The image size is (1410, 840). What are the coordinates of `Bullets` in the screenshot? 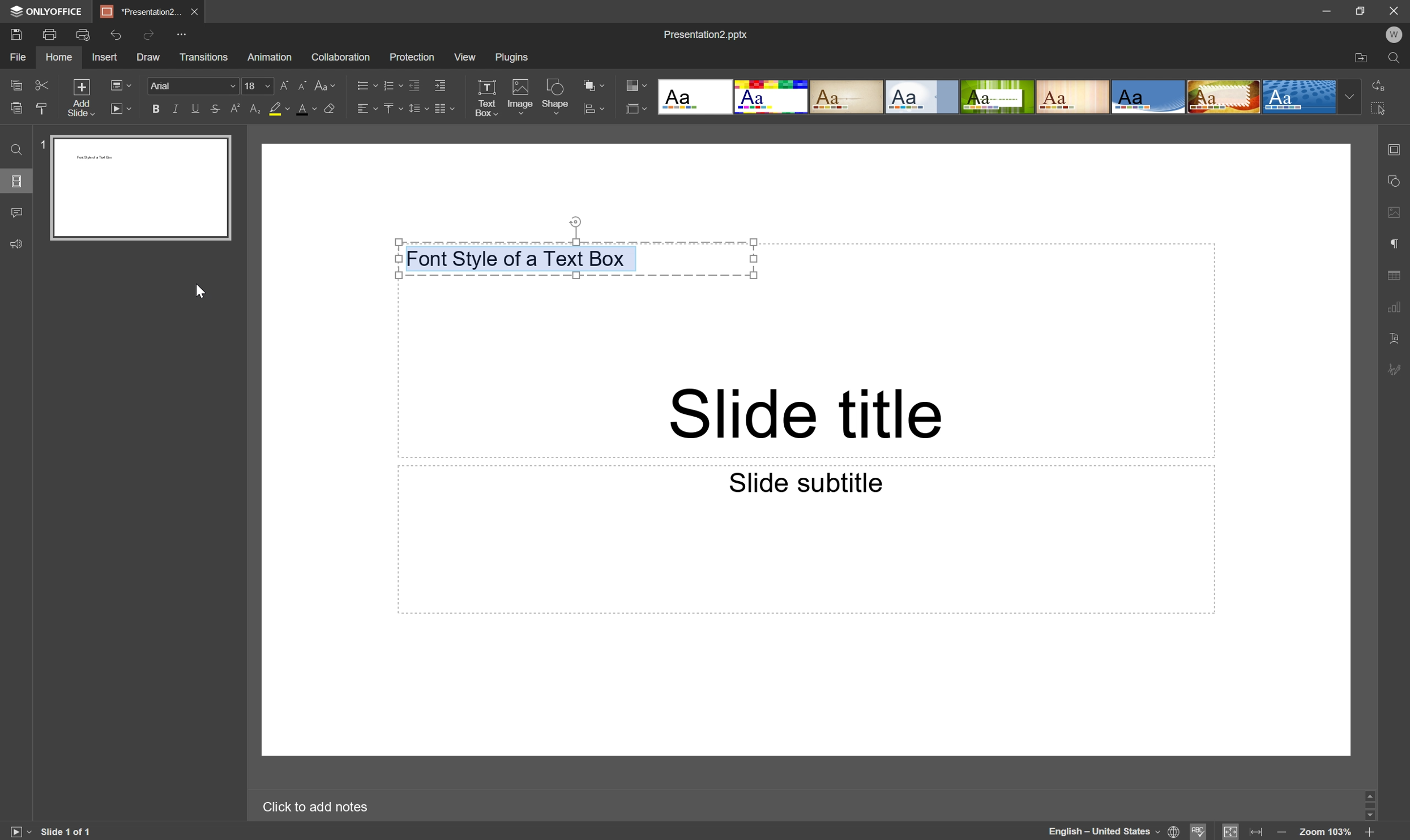 It's located at (365, 83).